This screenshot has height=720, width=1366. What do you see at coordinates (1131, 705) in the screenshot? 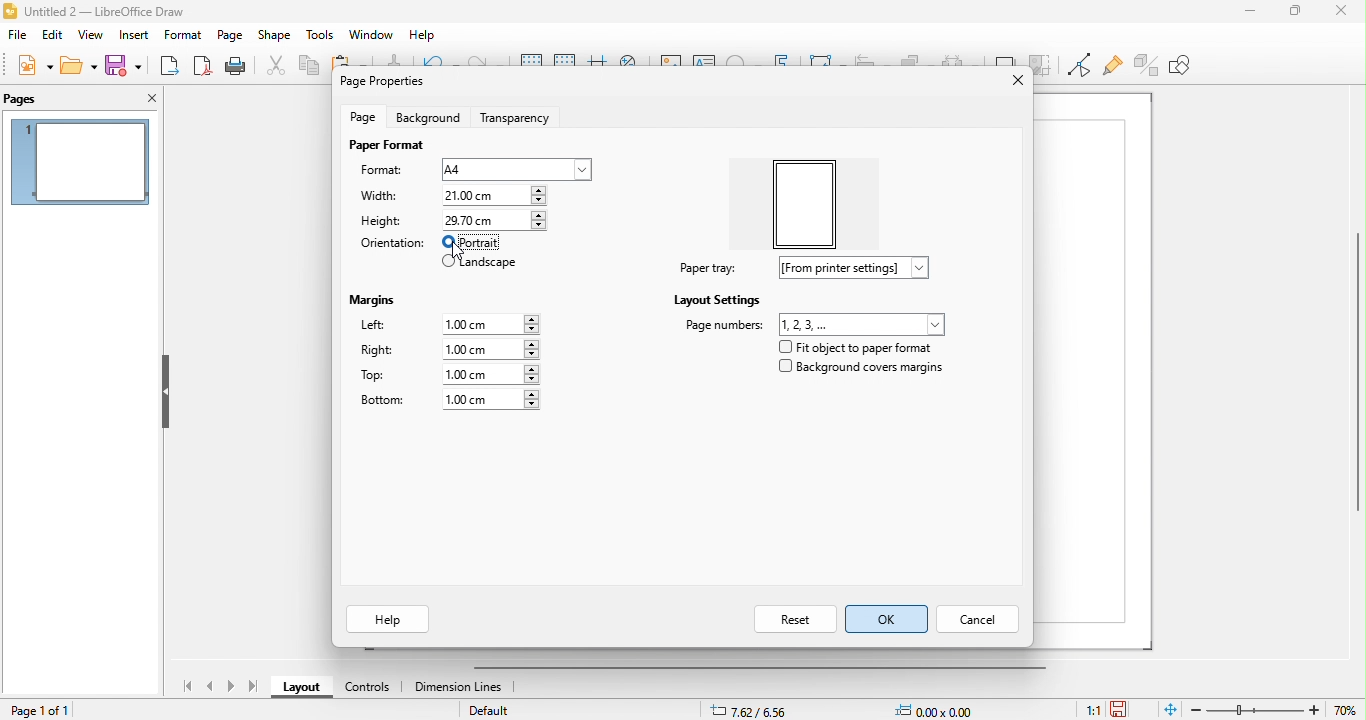
I see `save` at bounding box center [1131, 705].